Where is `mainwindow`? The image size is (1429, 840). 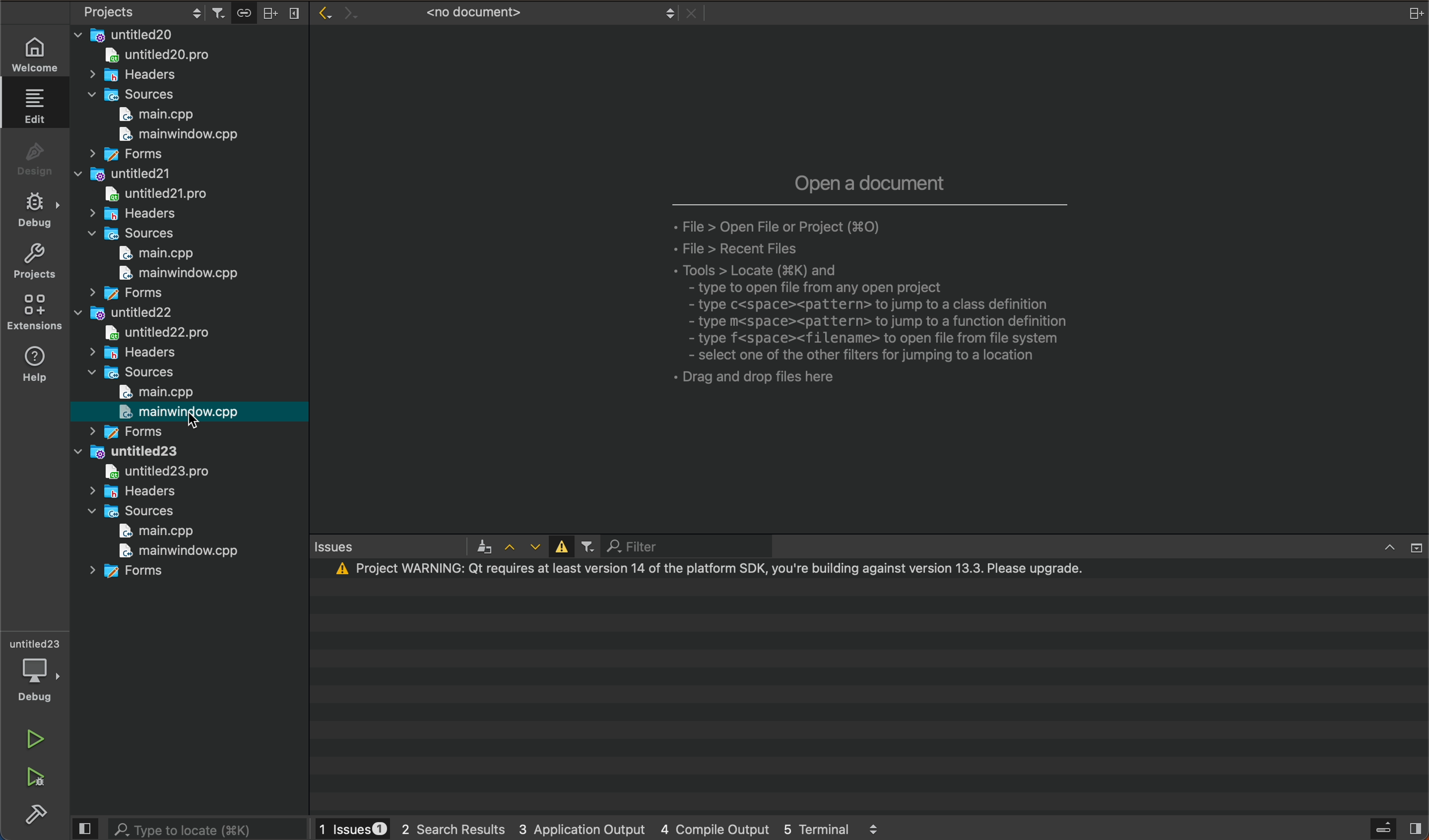 mainwindow is located at coordinates (170, 274).